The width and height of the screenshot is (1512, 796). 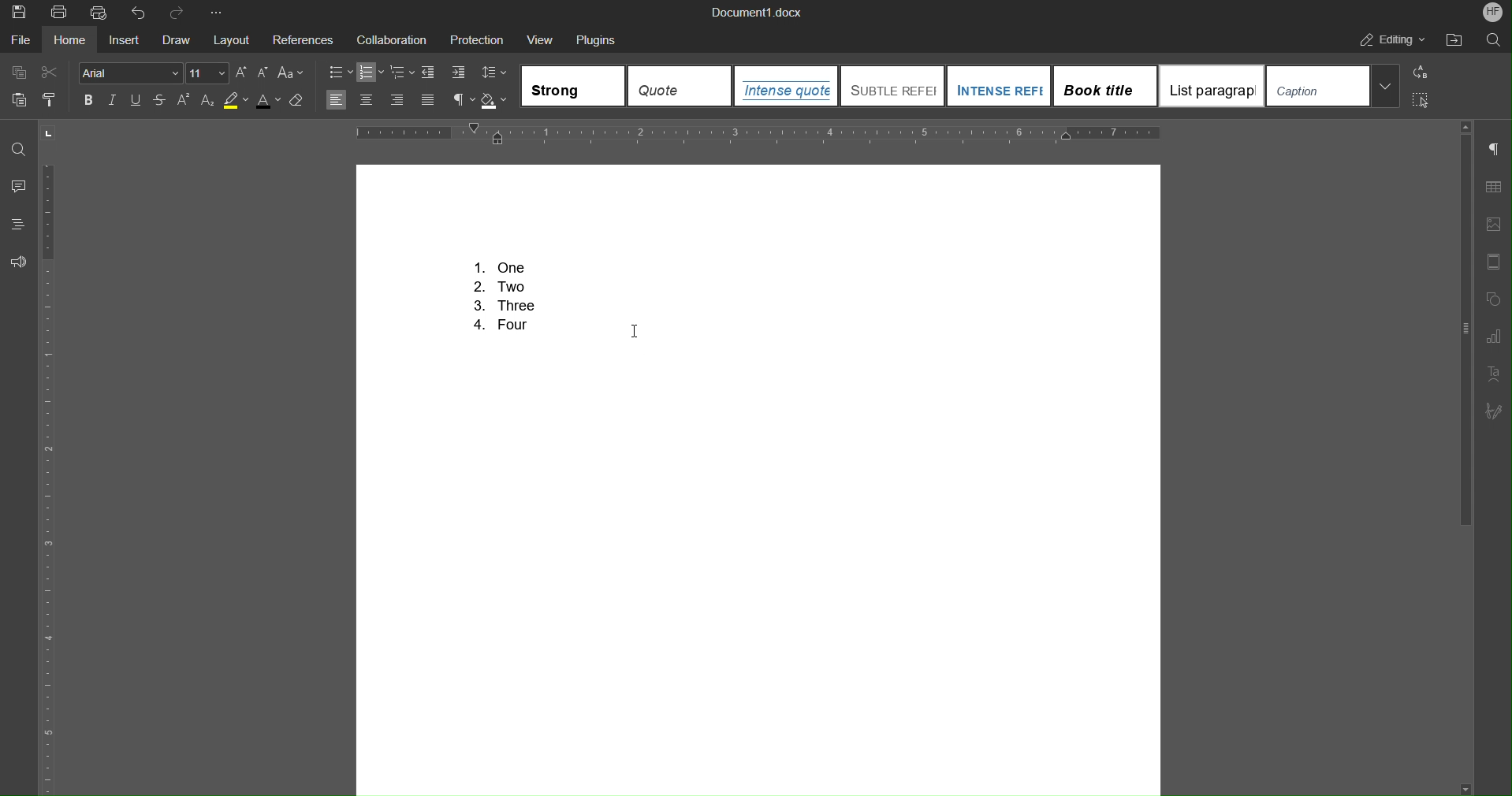 What do you see at coordinates (1492, 187) in the screenshot?
I see `Table` at bounding box center [1492, 187].